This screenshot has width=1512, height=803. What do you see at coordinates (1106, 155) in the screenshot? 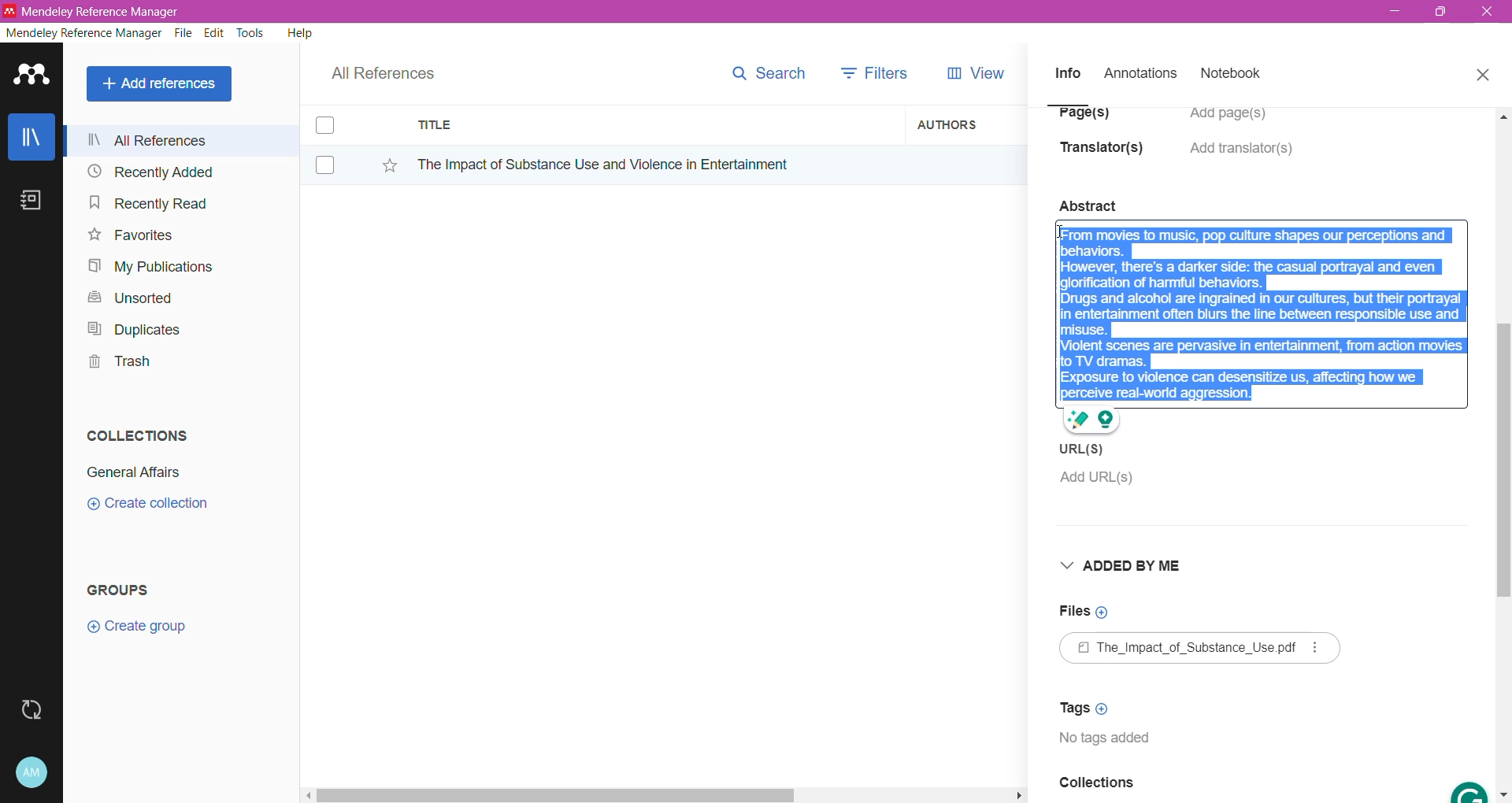
I see `Translator(s)` at bounding box center [1106, 155].